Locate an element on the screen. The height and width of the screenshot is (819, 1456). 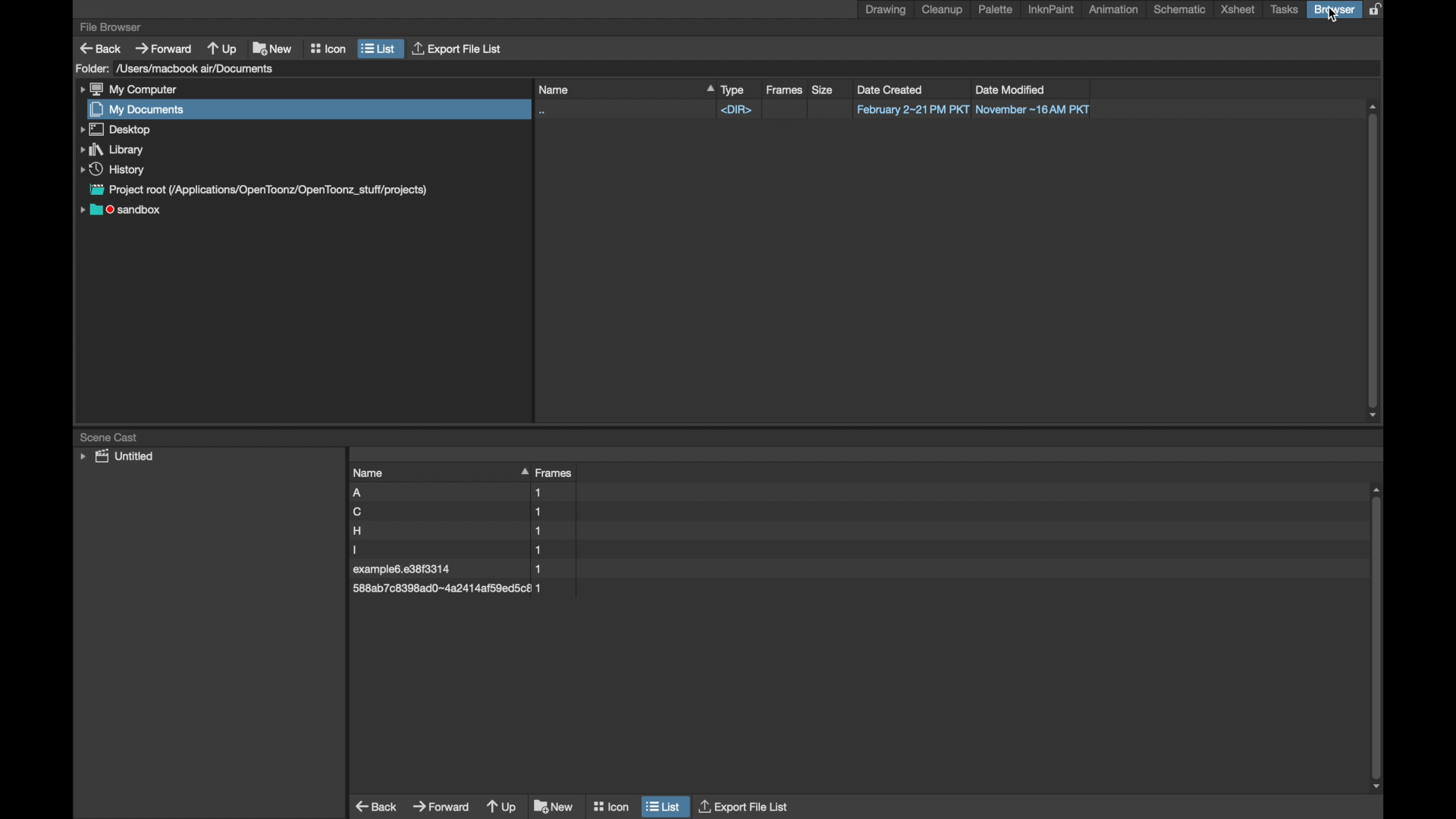
1 is located at coordinates (551, 529).